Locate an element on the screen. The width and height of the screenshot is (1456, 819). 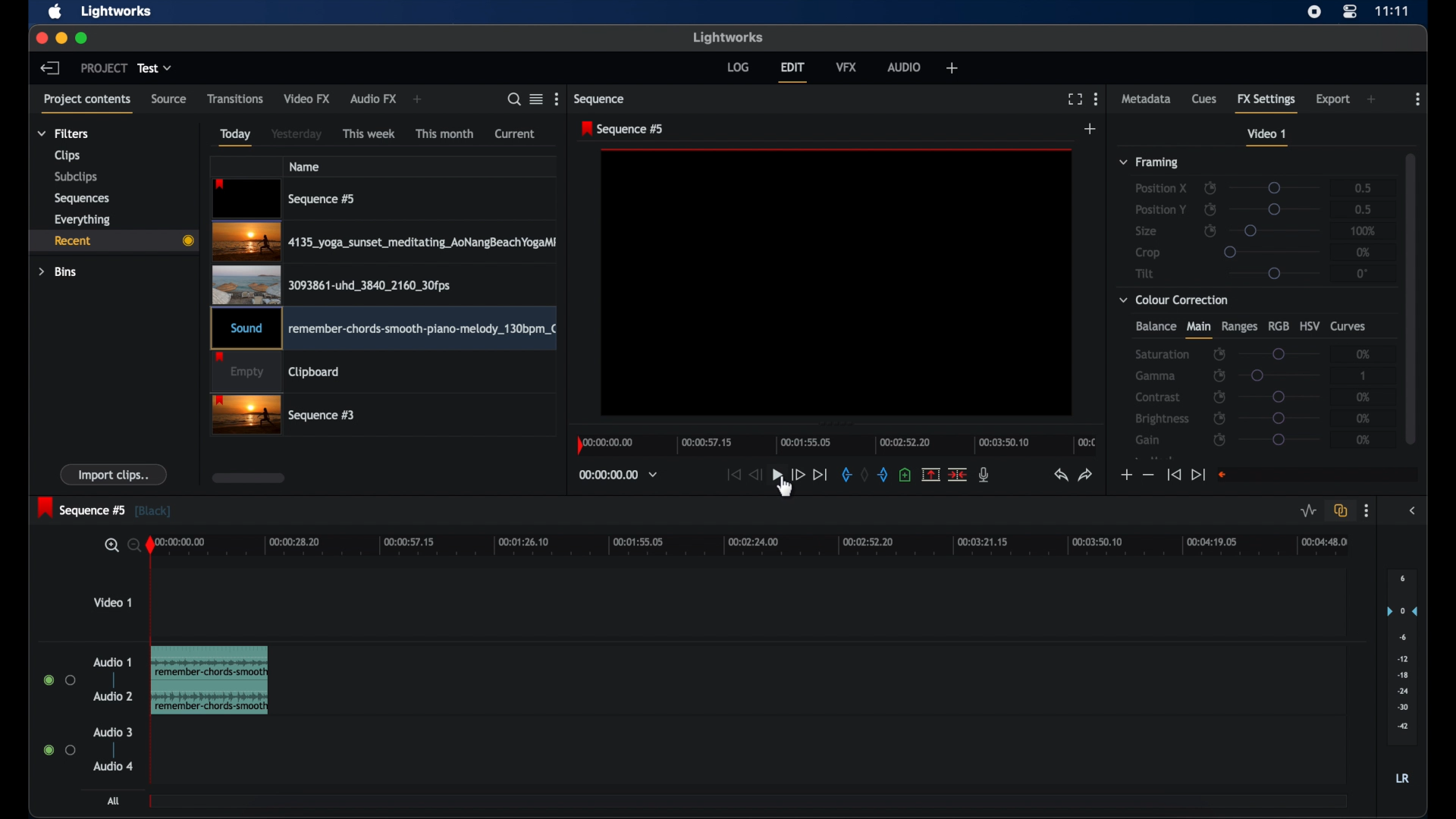
0.5 is located at coordinates (1363, 209).